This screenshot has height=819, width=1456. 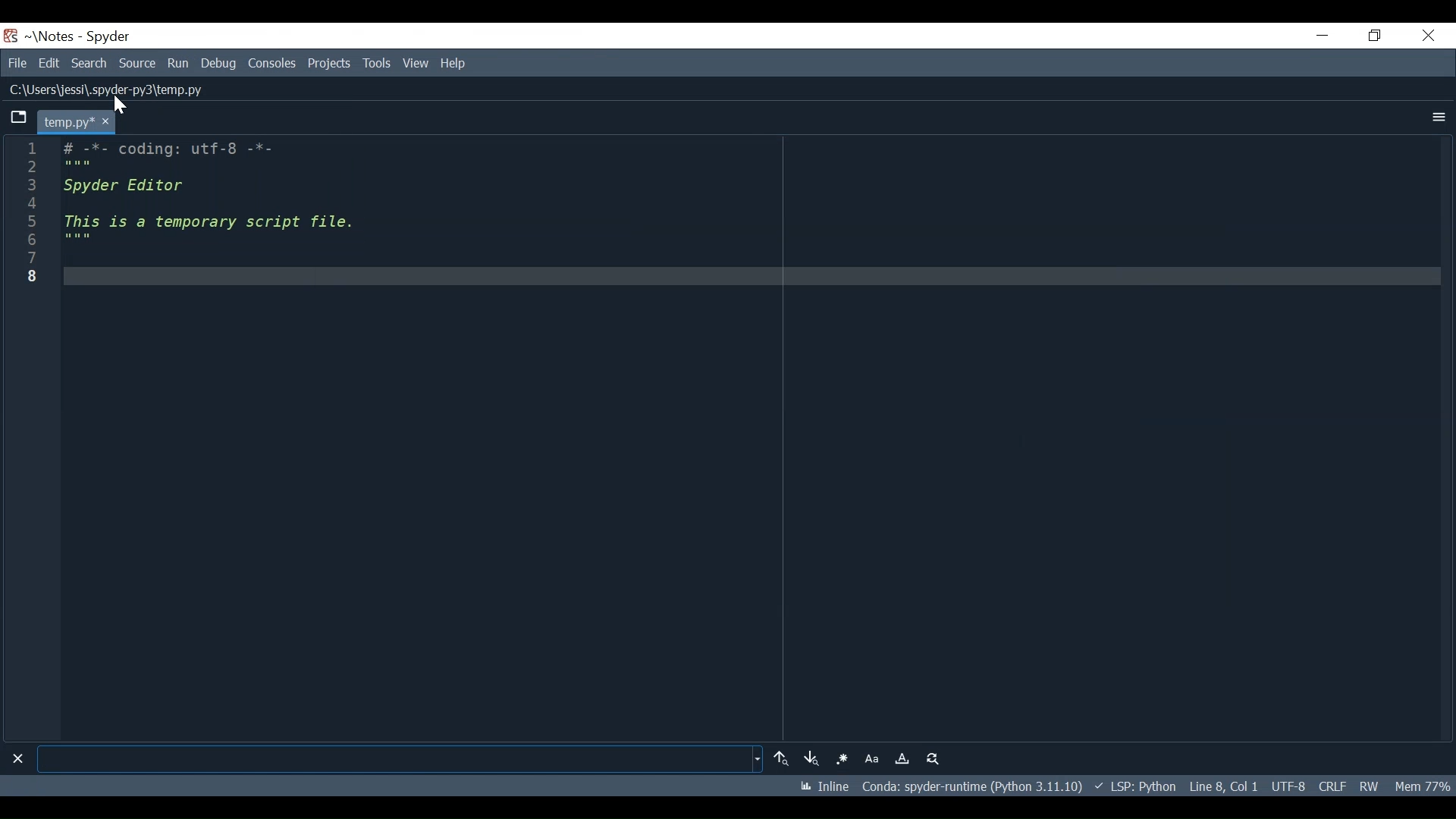 What do you see at coordinates (874, 758) in the screenshot?
I see `Enable case Sensitive searches` at bounding box center [874, 758].